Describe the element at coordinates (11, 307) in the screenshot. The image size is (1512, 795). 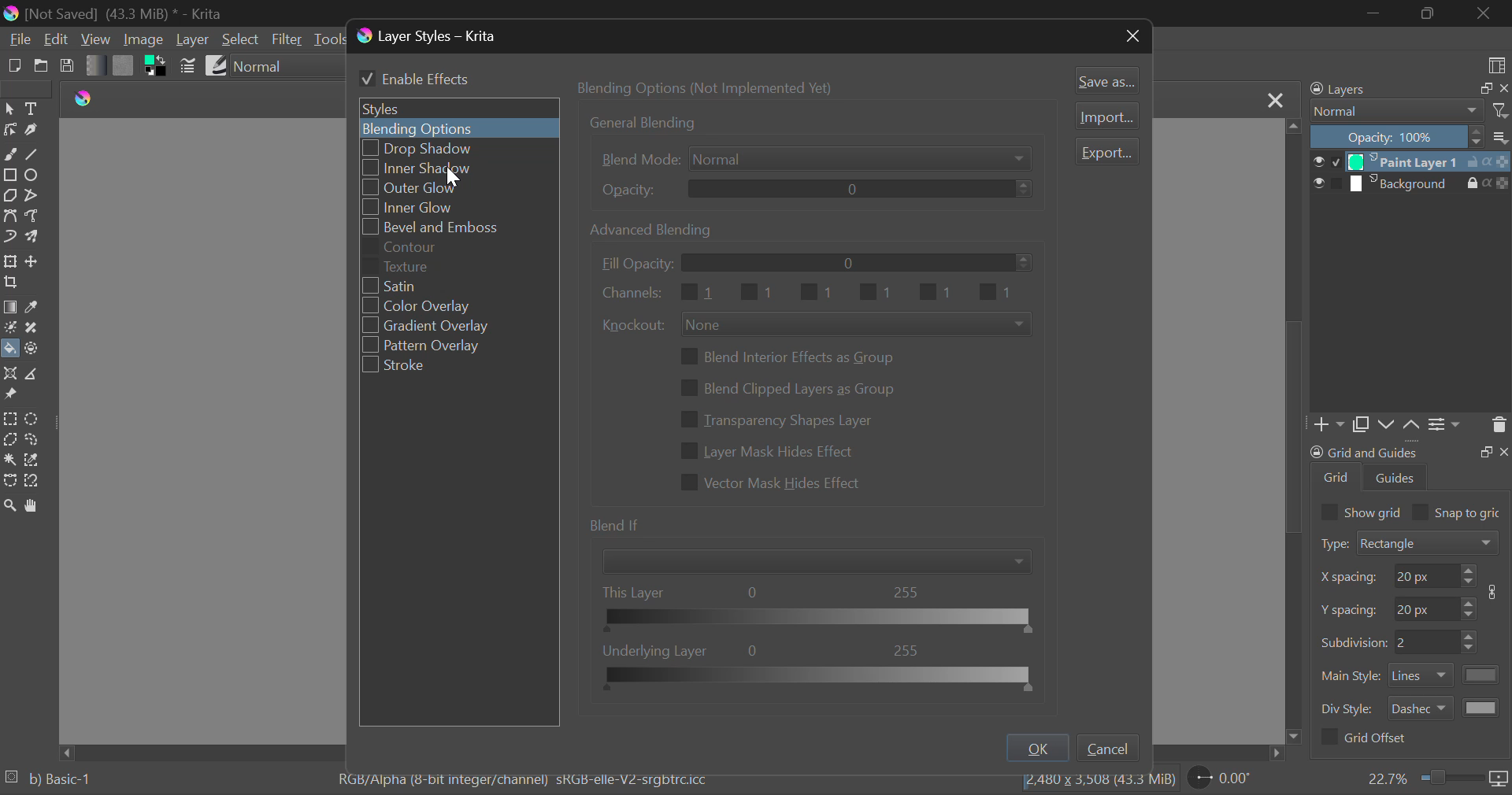
I see `Gradient Fill` at that location.